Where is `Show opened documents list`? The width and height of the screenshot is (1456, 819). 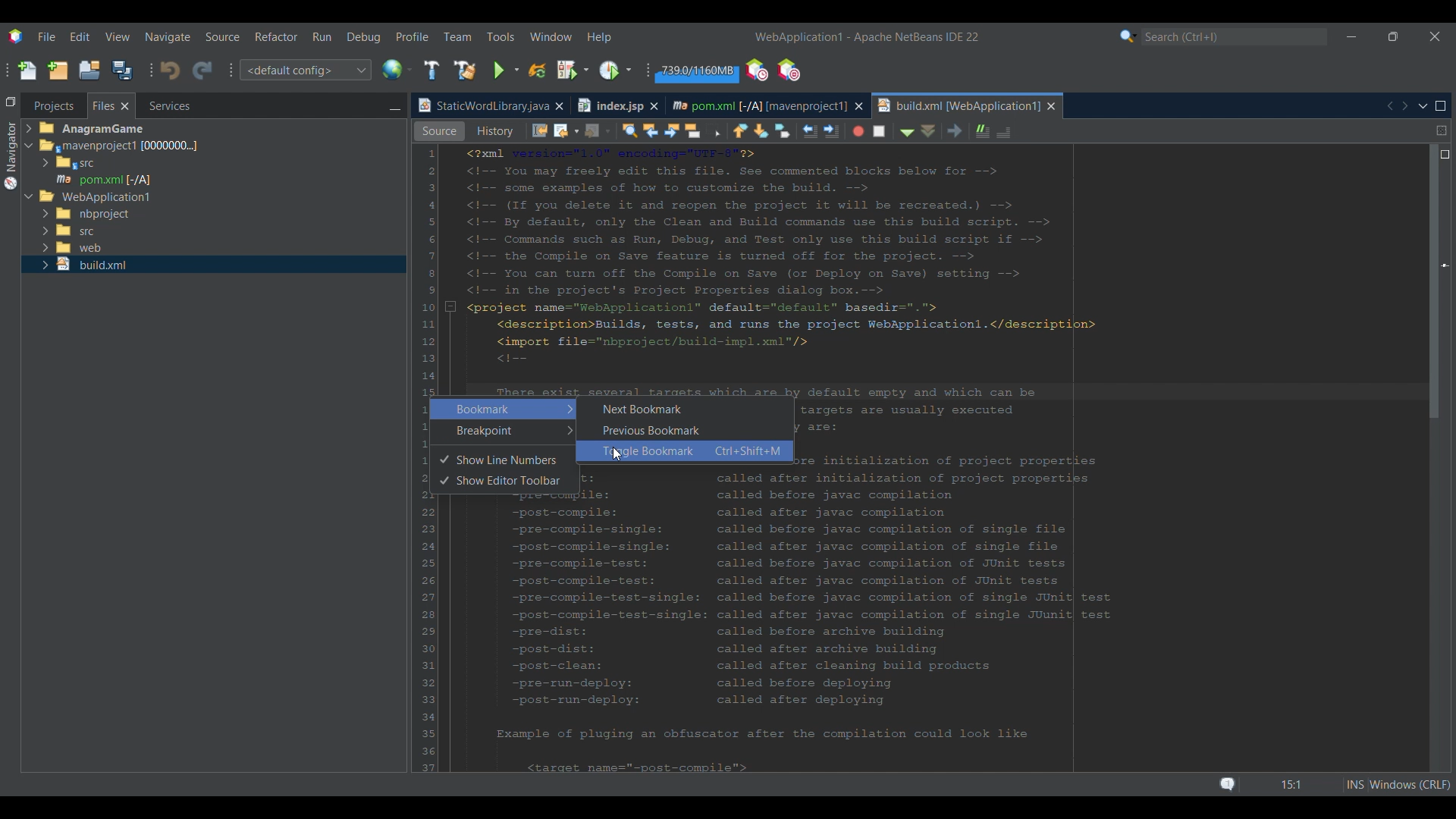
Show opened documents list is located at coordinates (1423, 107).